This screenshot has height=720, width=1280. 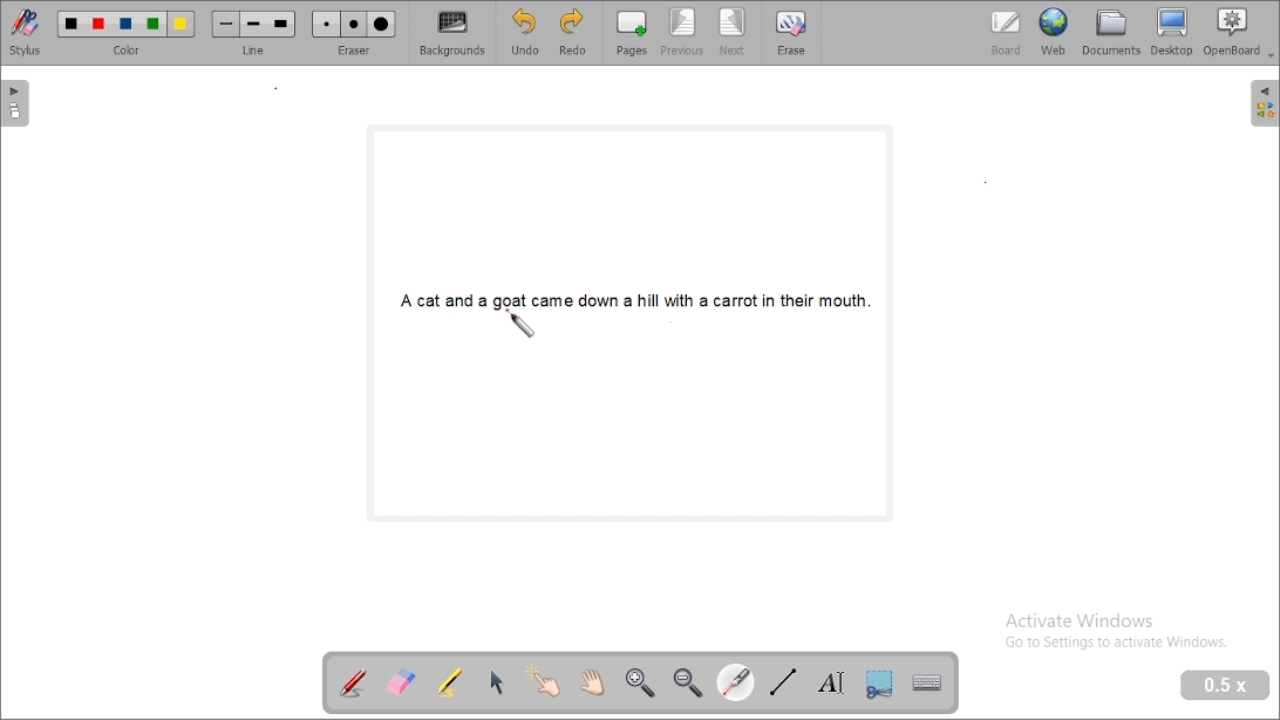 What do you see at coordinates (880, 683) in the screenshot?
I see `capture part of the screen` at bounding box center [880, 683].